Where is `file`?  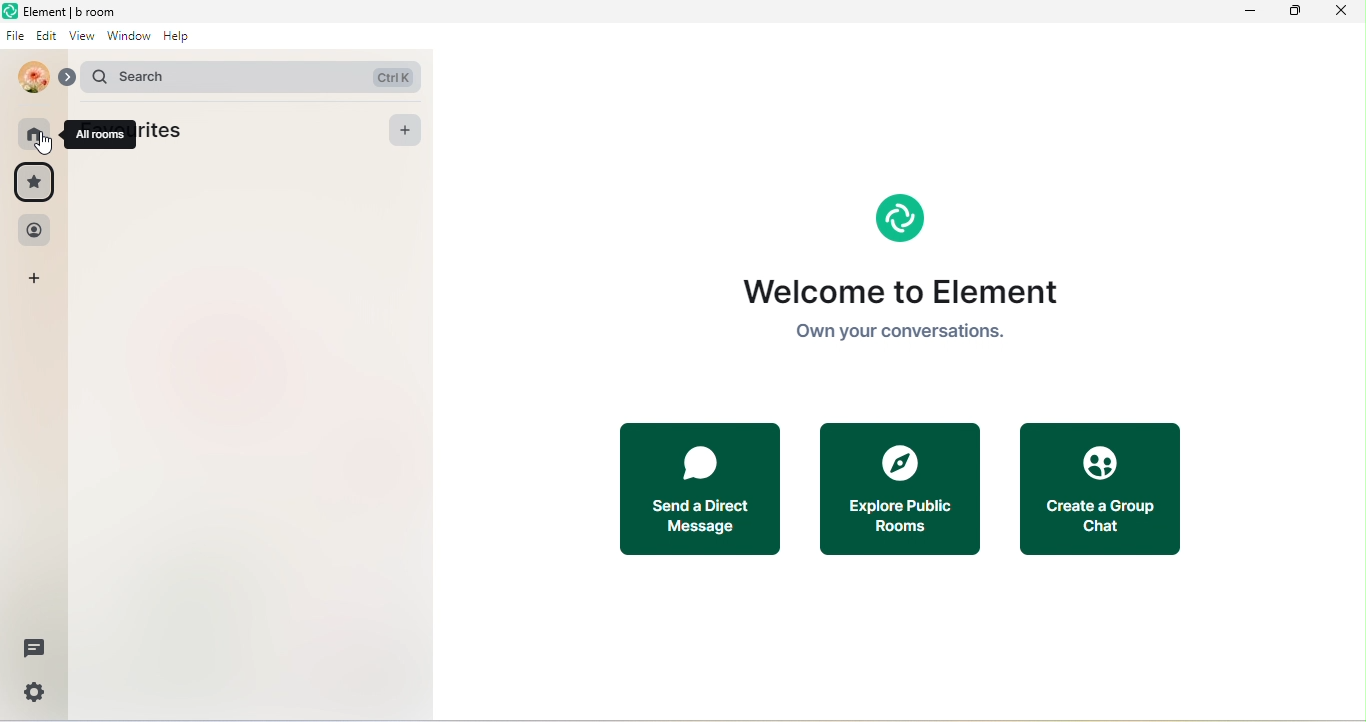
file is located at coordinates (14, 38).